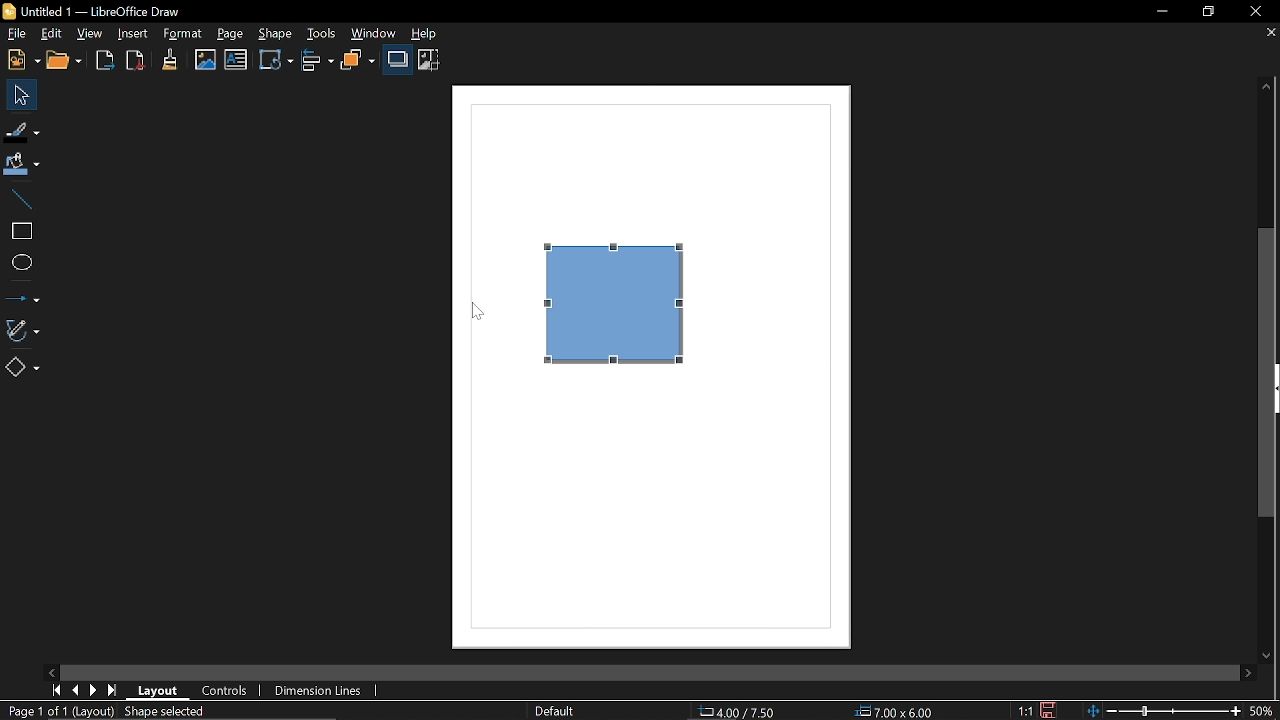 This screenshot has height=720, width=1280. I want to click on Curves and polygons, so click(26, 329).